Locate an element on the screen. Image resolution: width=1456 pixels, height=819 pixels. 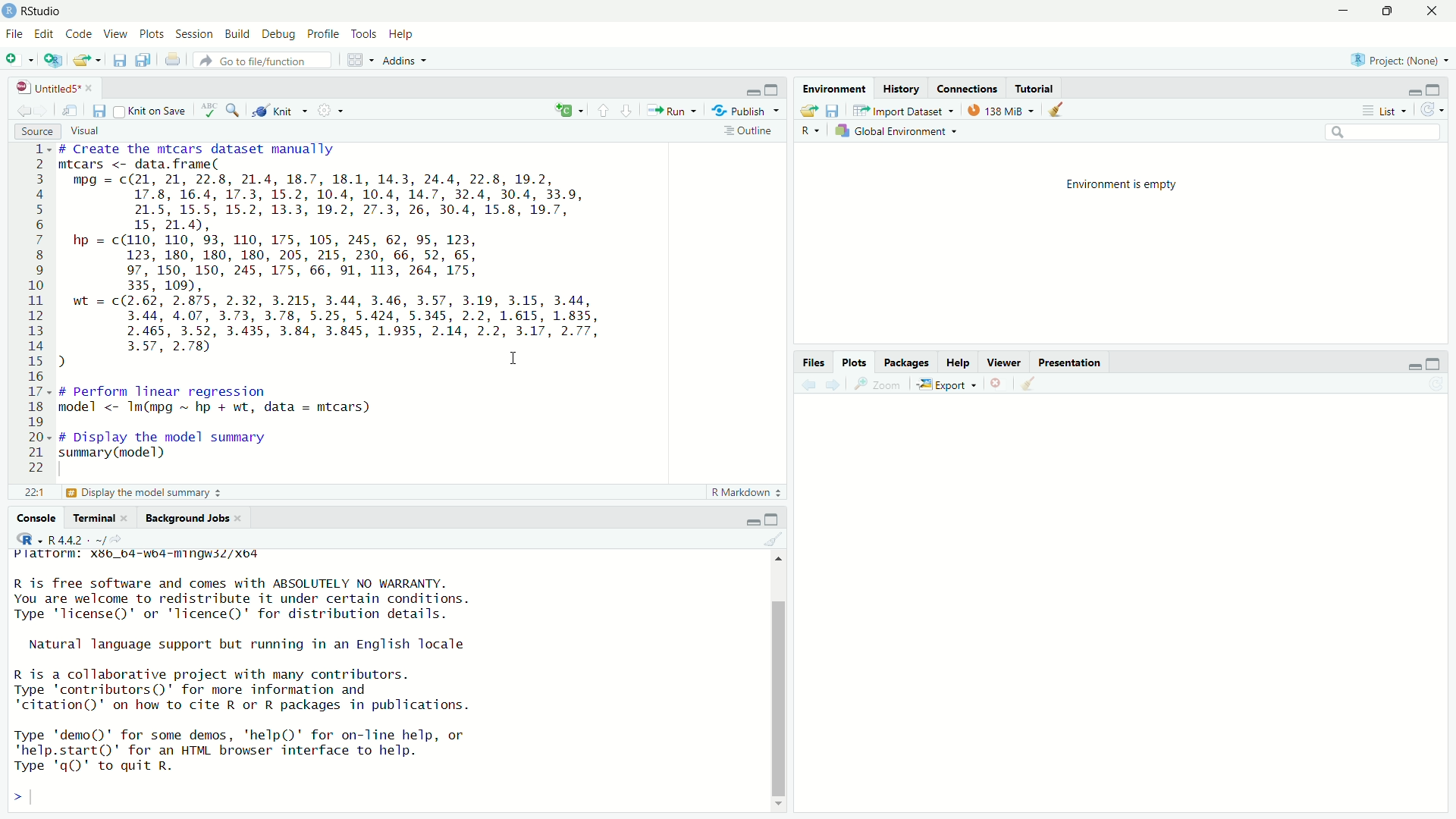
go back is located at coordinates (22, 114).